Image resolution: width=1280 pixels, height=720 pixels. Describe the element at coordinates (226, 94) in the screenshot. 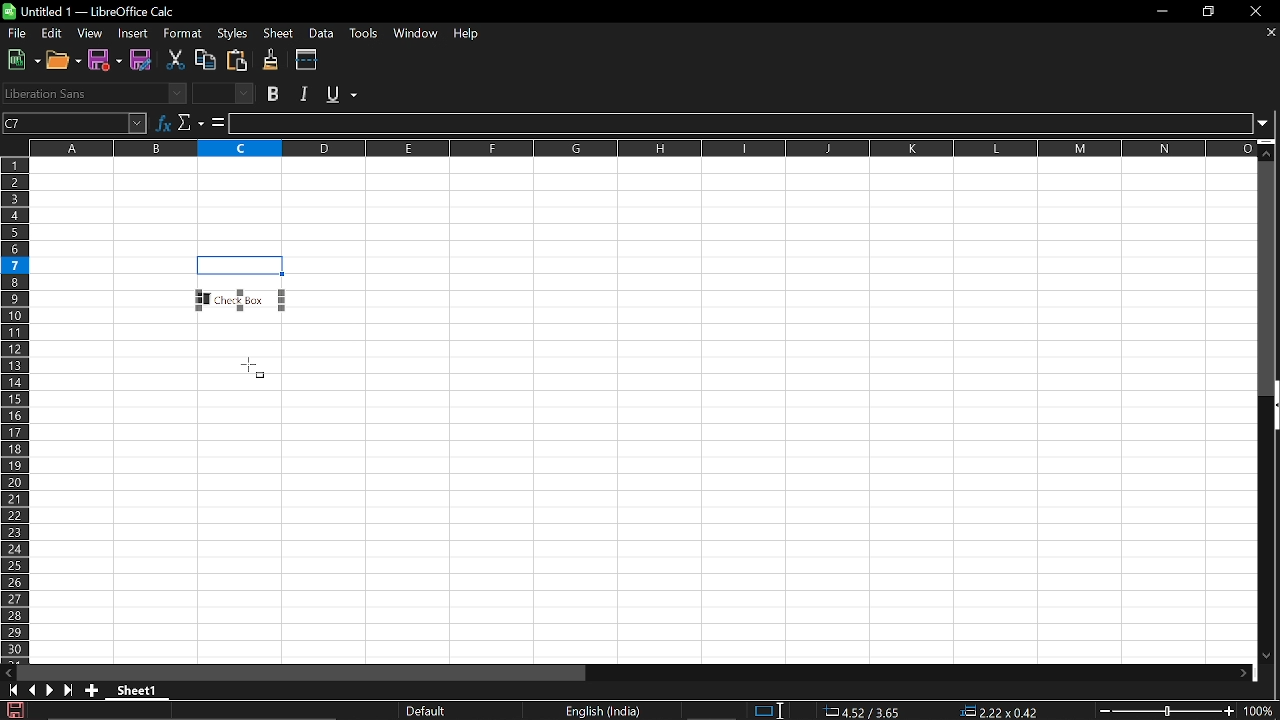

I see `Font size` at that location.